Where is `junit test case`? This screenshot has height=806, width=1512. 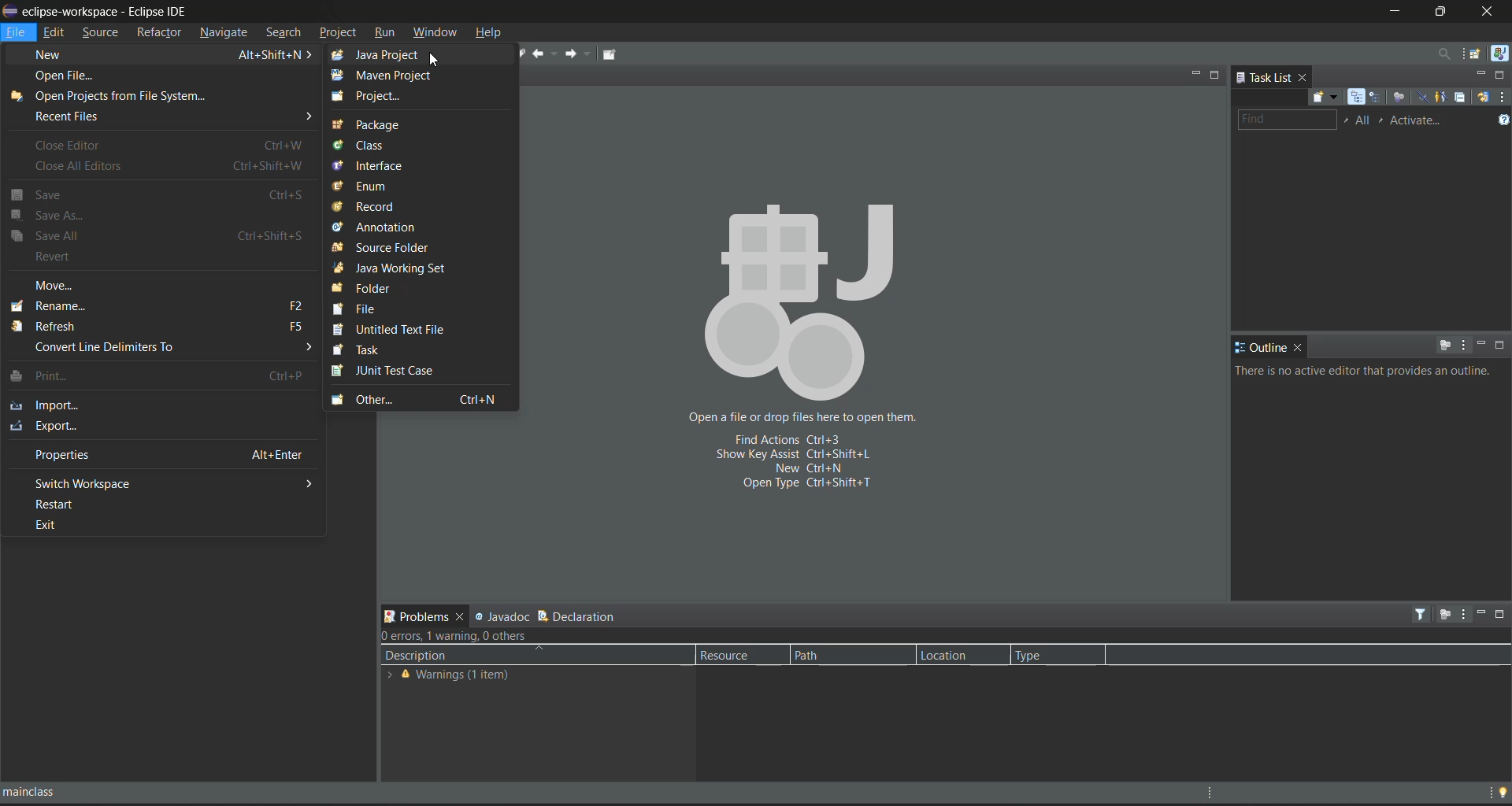
junit test case is located at coordinates (392, 372).